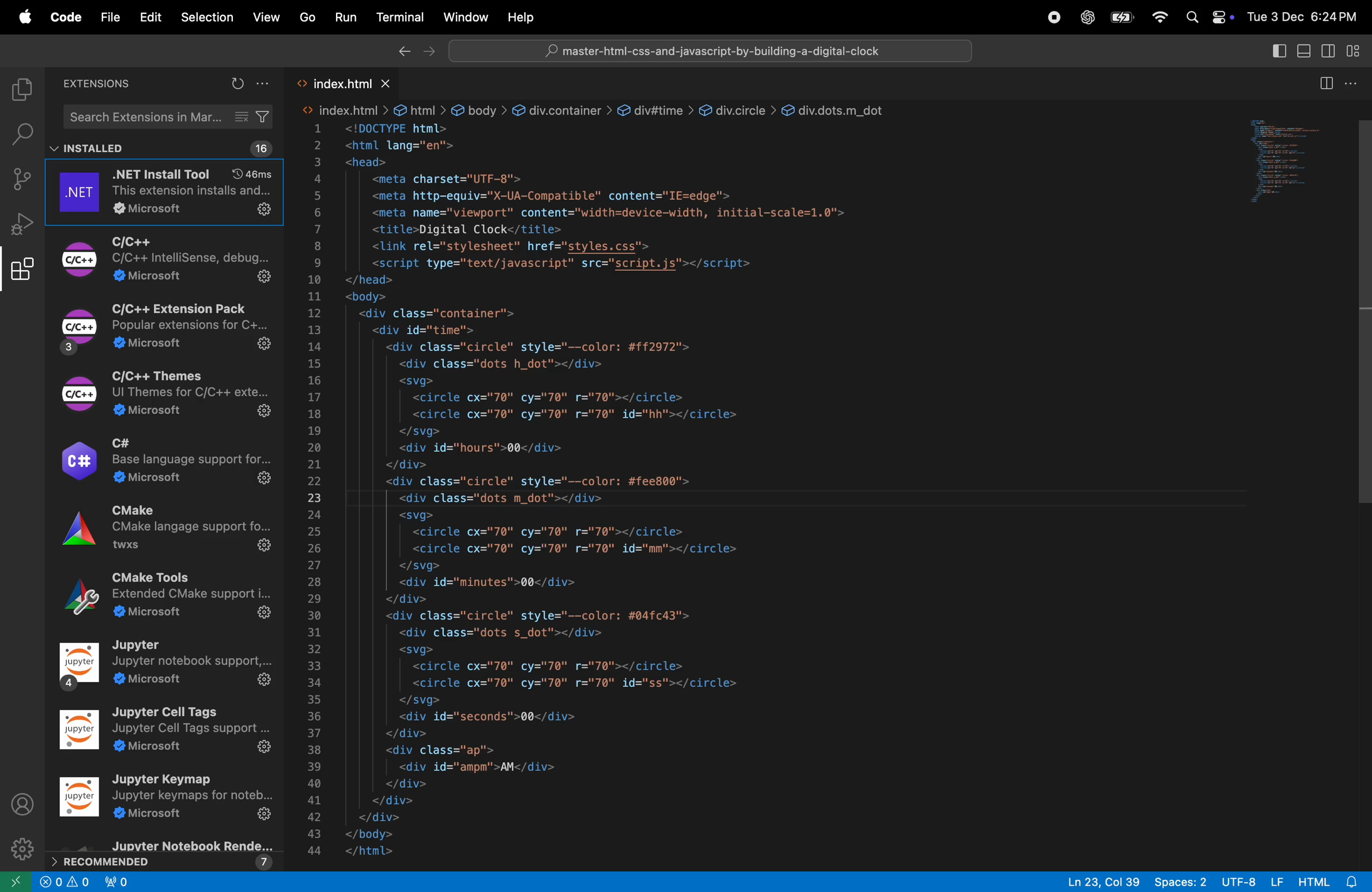 This screenshot has height=892, width=1372. I want to click on File, so click(107, 14).